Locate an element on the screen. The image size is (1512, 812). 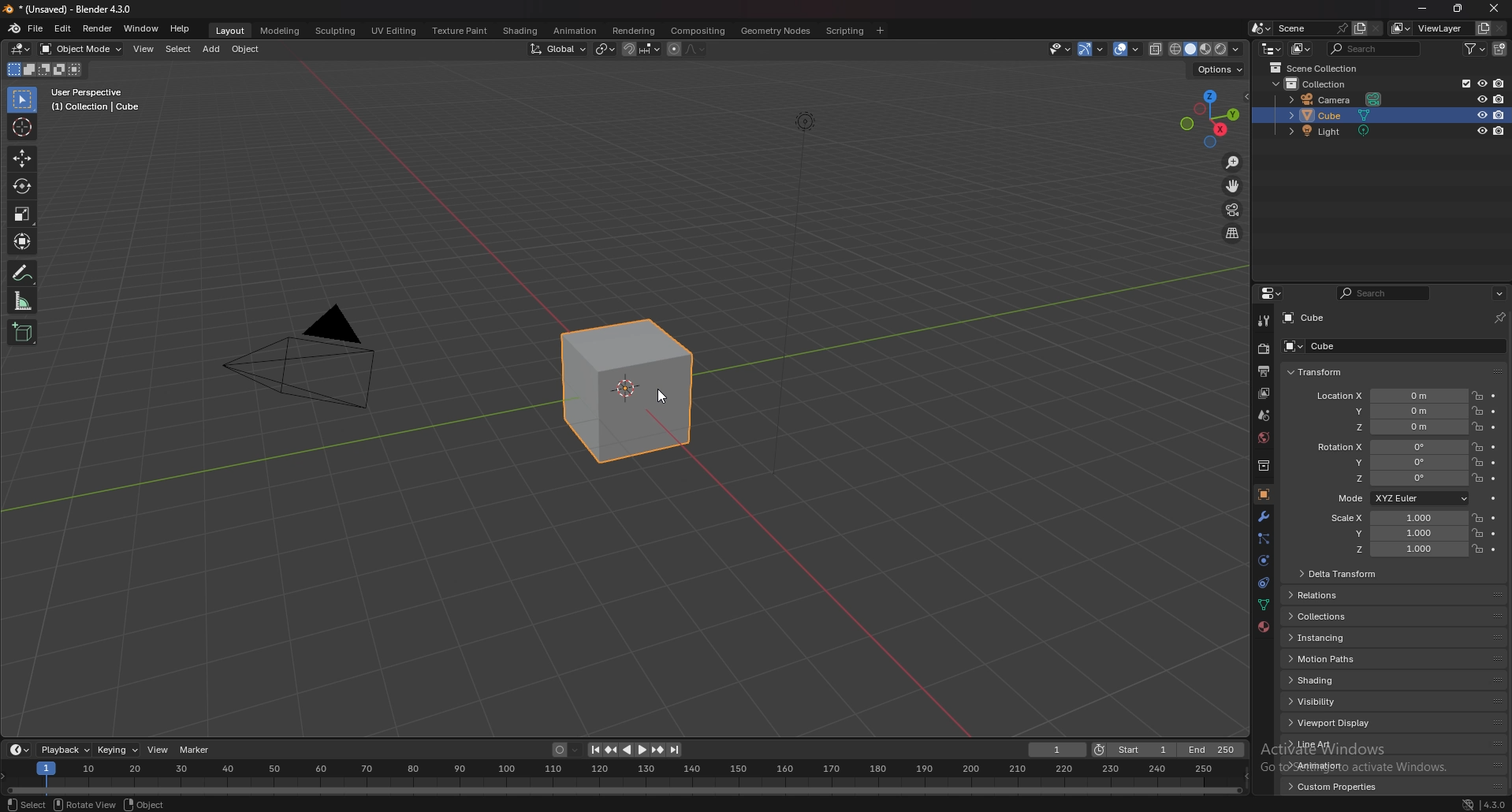
display mode is located at coordinates (1302, 50).